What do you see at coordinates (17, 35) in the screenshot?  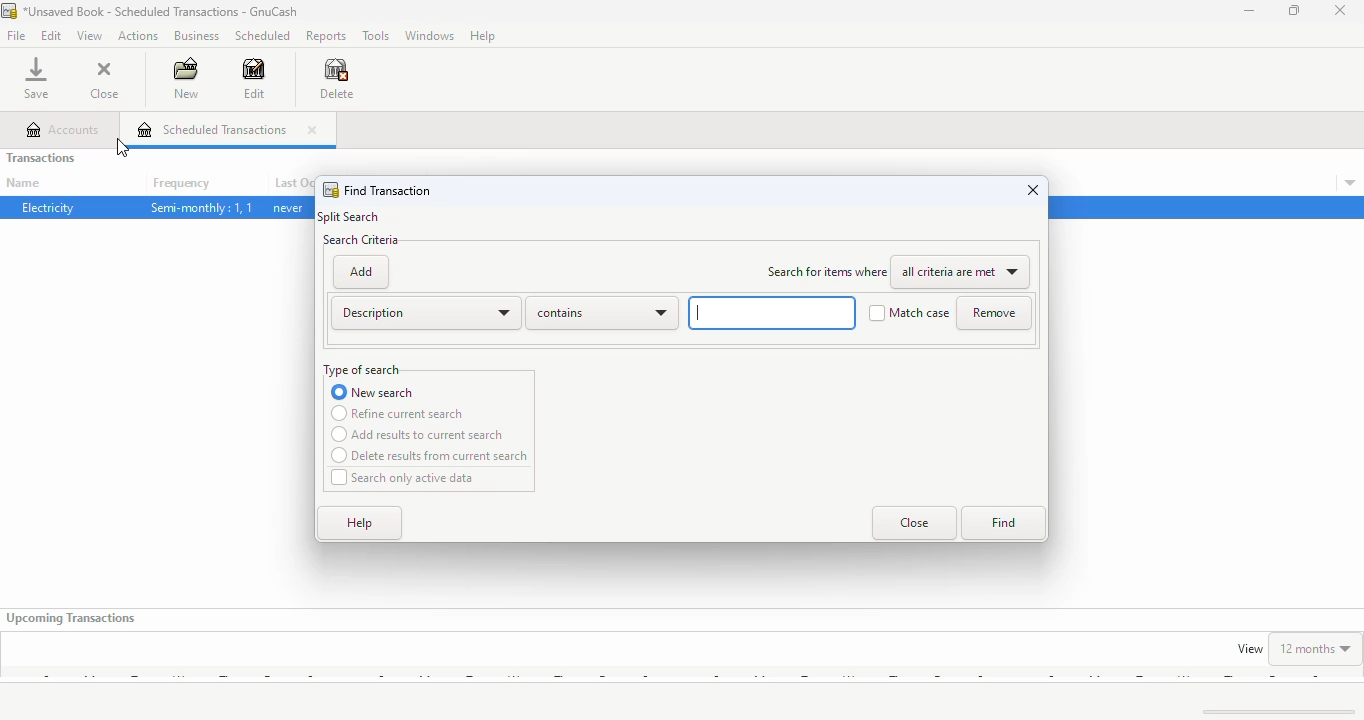 I see `file` at bounding box center [17, 35].